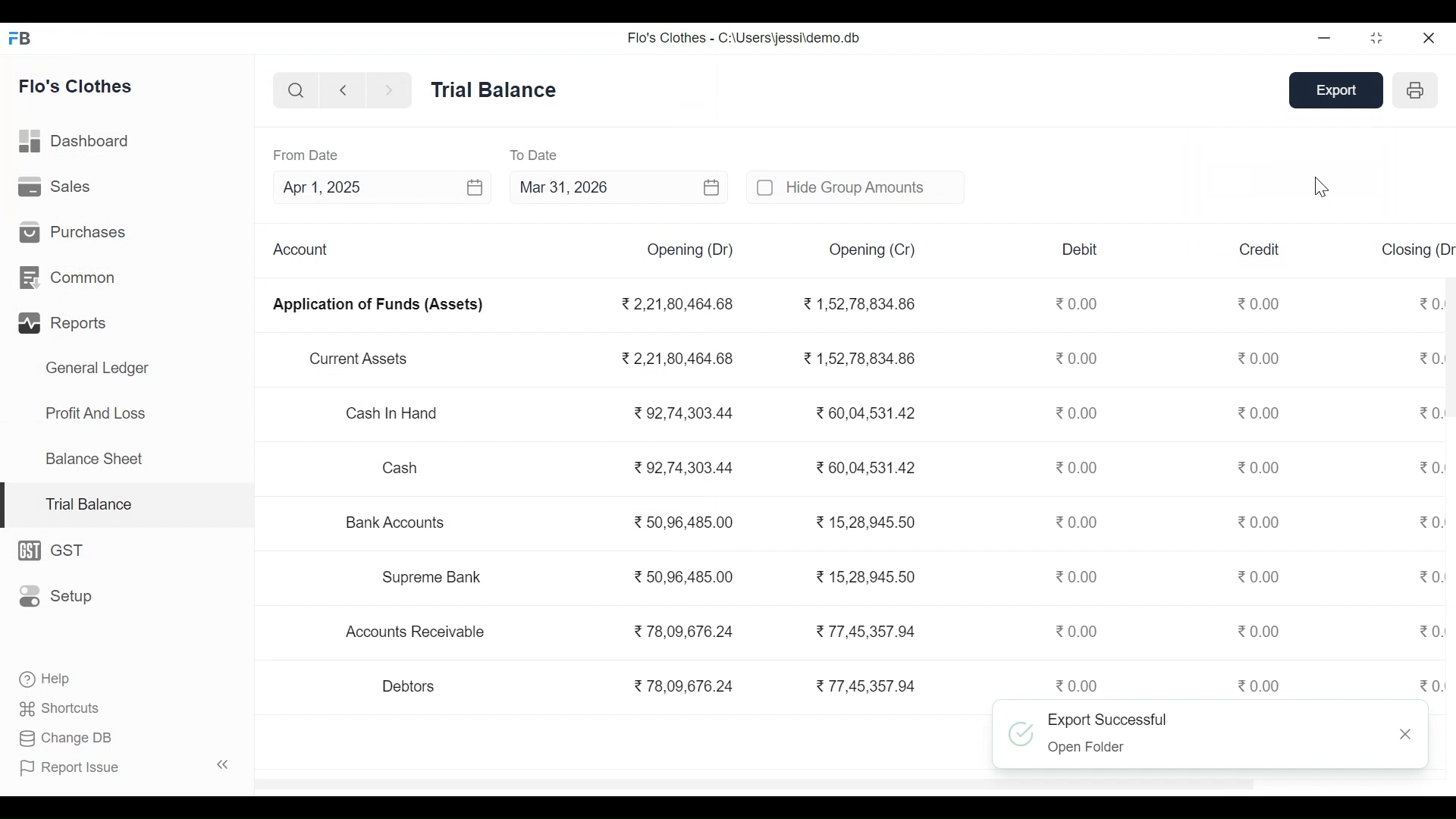 The image size is (1456, 819). Describe the element at coordinates (402, 468) in the screenshot. I see `Cash` at that location.